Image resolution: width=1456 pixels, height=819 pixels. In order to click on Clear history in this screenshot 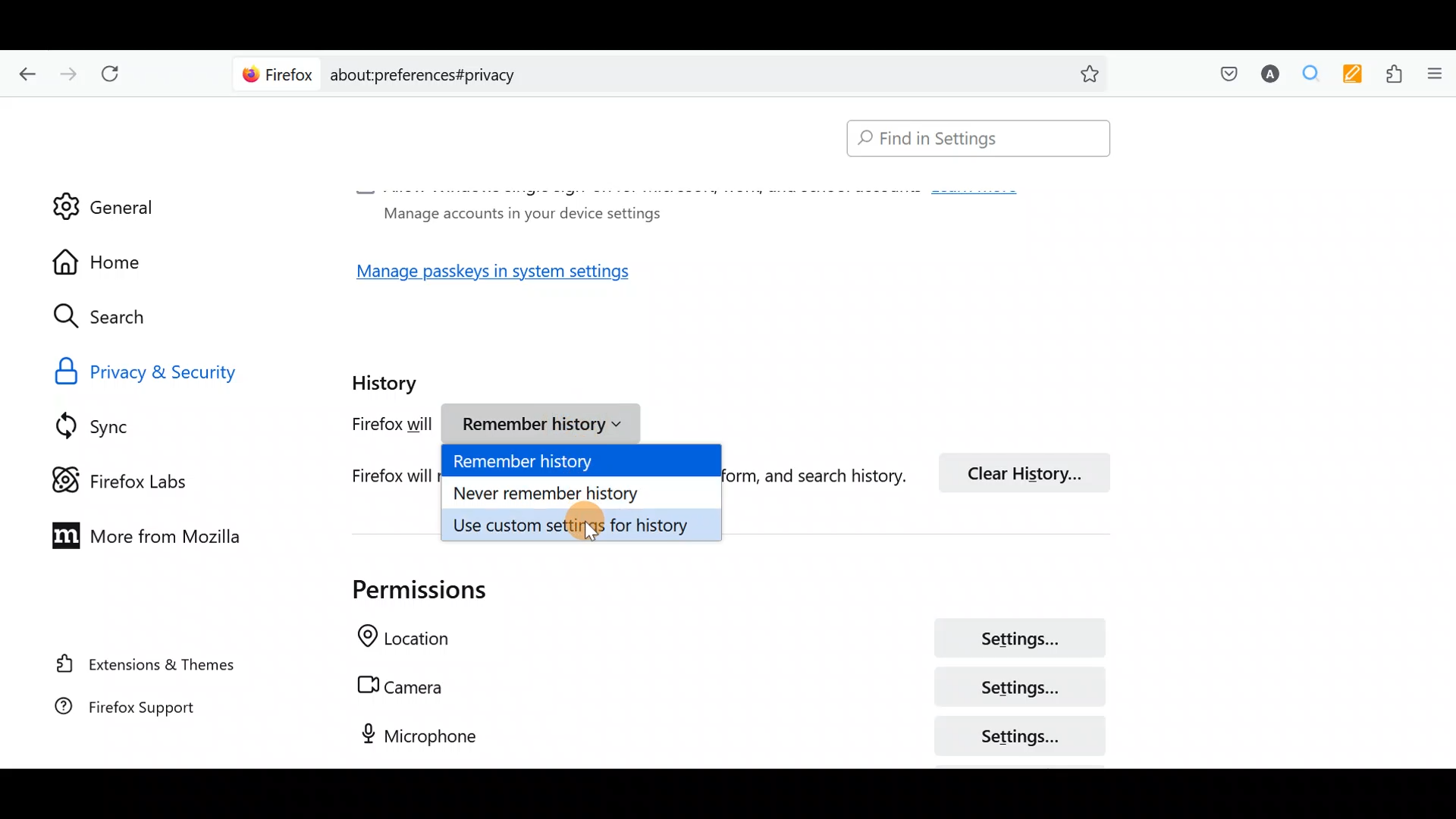, I will do `click(1031, 471)`.